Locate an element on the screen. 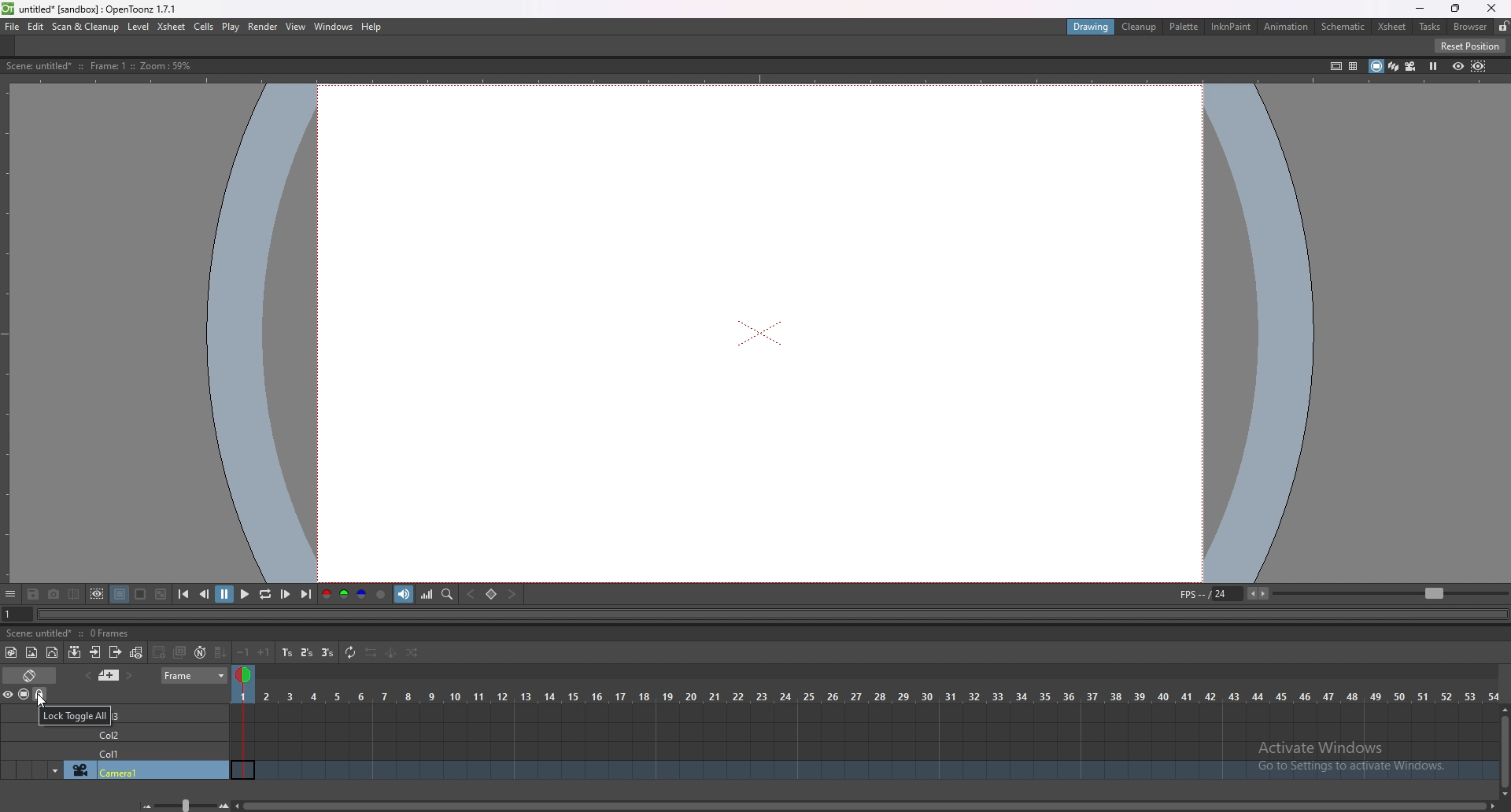  scroll bar is located at coordinates (1503, 749).